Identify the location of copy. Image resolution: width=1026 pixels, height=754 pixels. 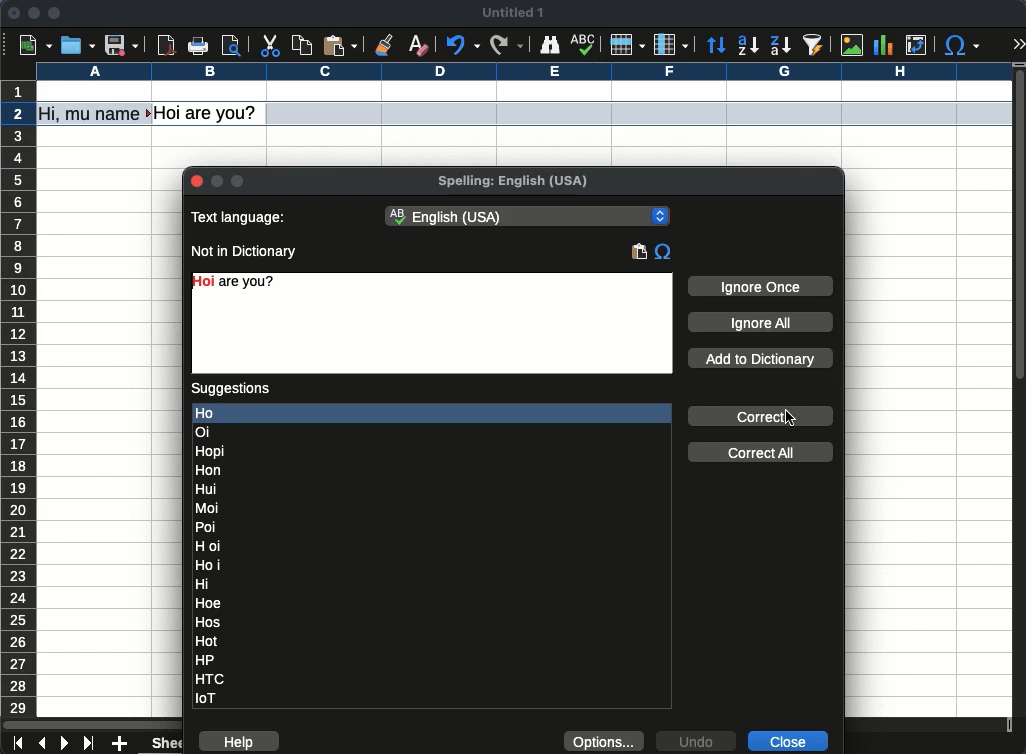
(302, 46).